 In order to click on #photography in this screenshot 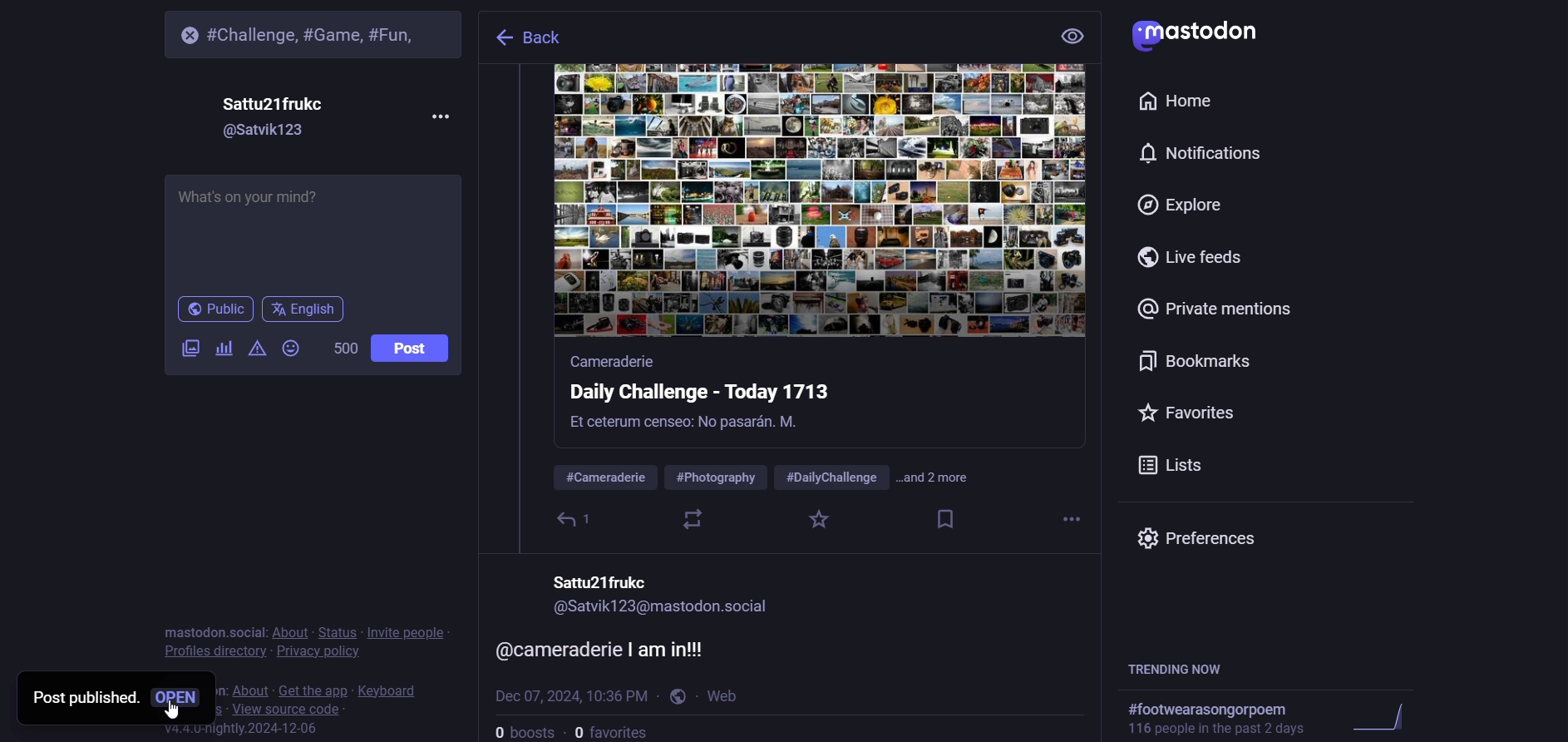, I will do `click(717, 477)`.